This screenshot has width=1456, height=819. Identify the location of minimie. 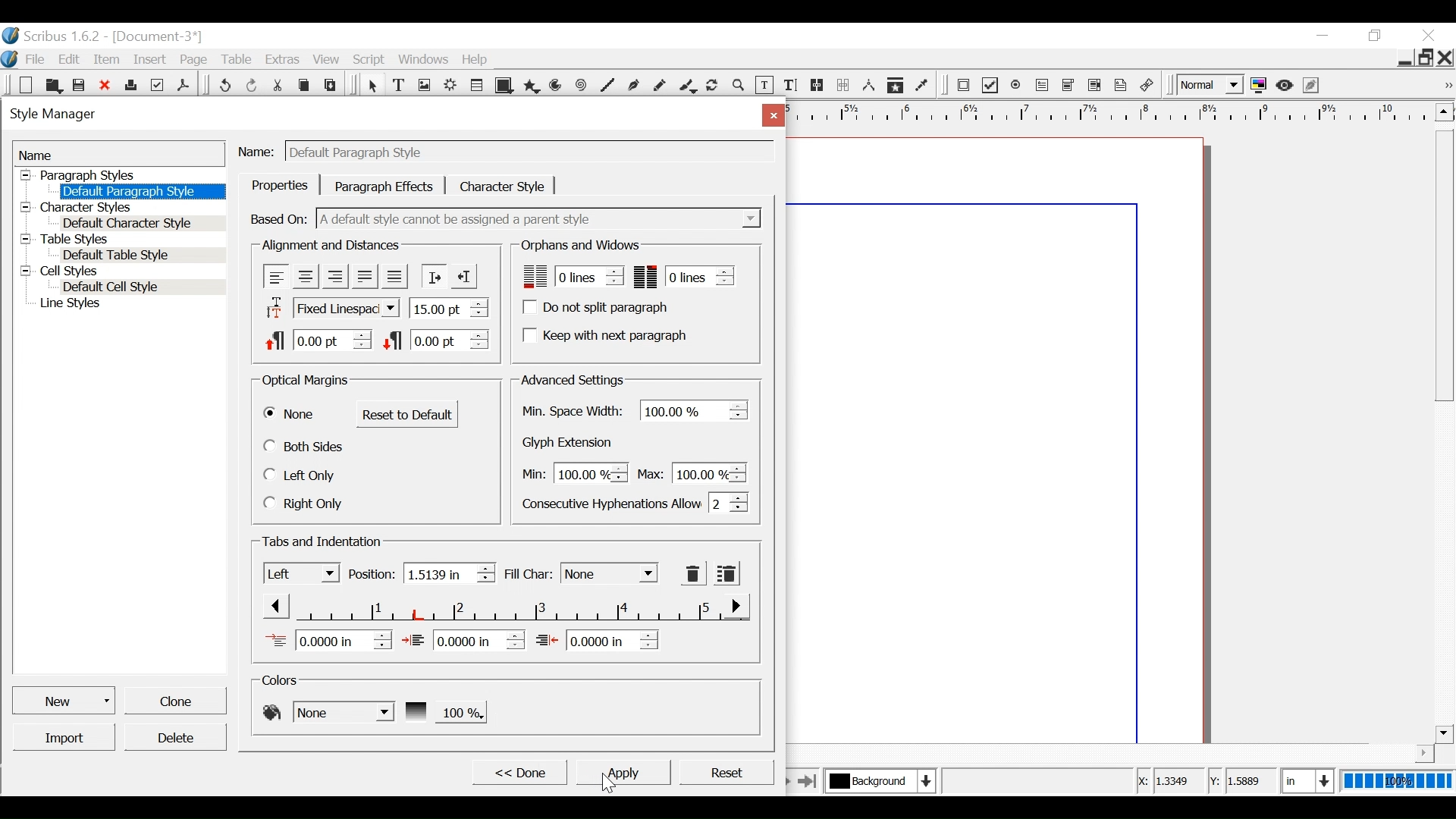
(1404, 57).